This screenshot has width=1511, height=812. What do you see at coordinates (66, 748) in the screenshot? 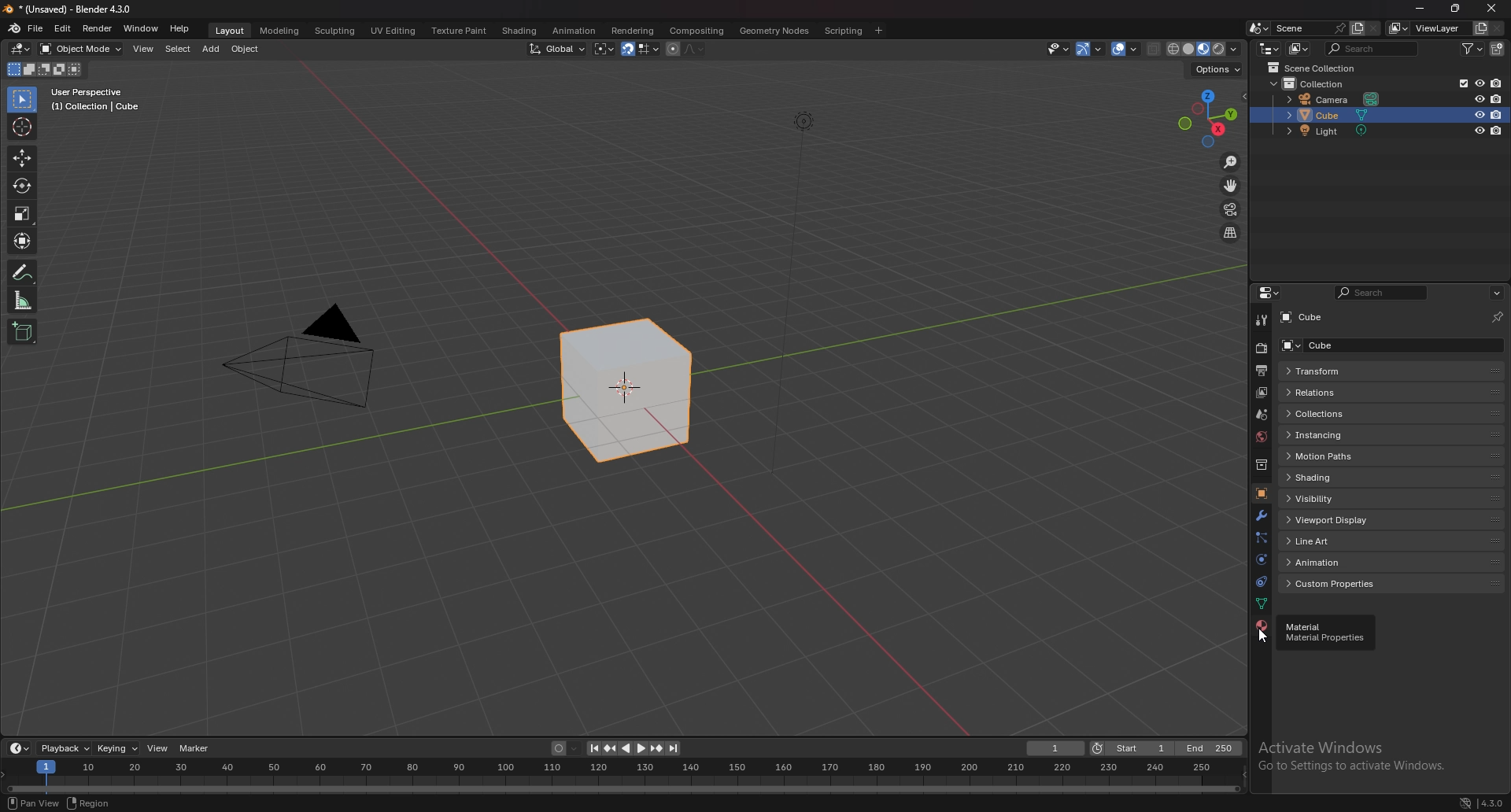
I see `playback` at bounding box center [66, 748].